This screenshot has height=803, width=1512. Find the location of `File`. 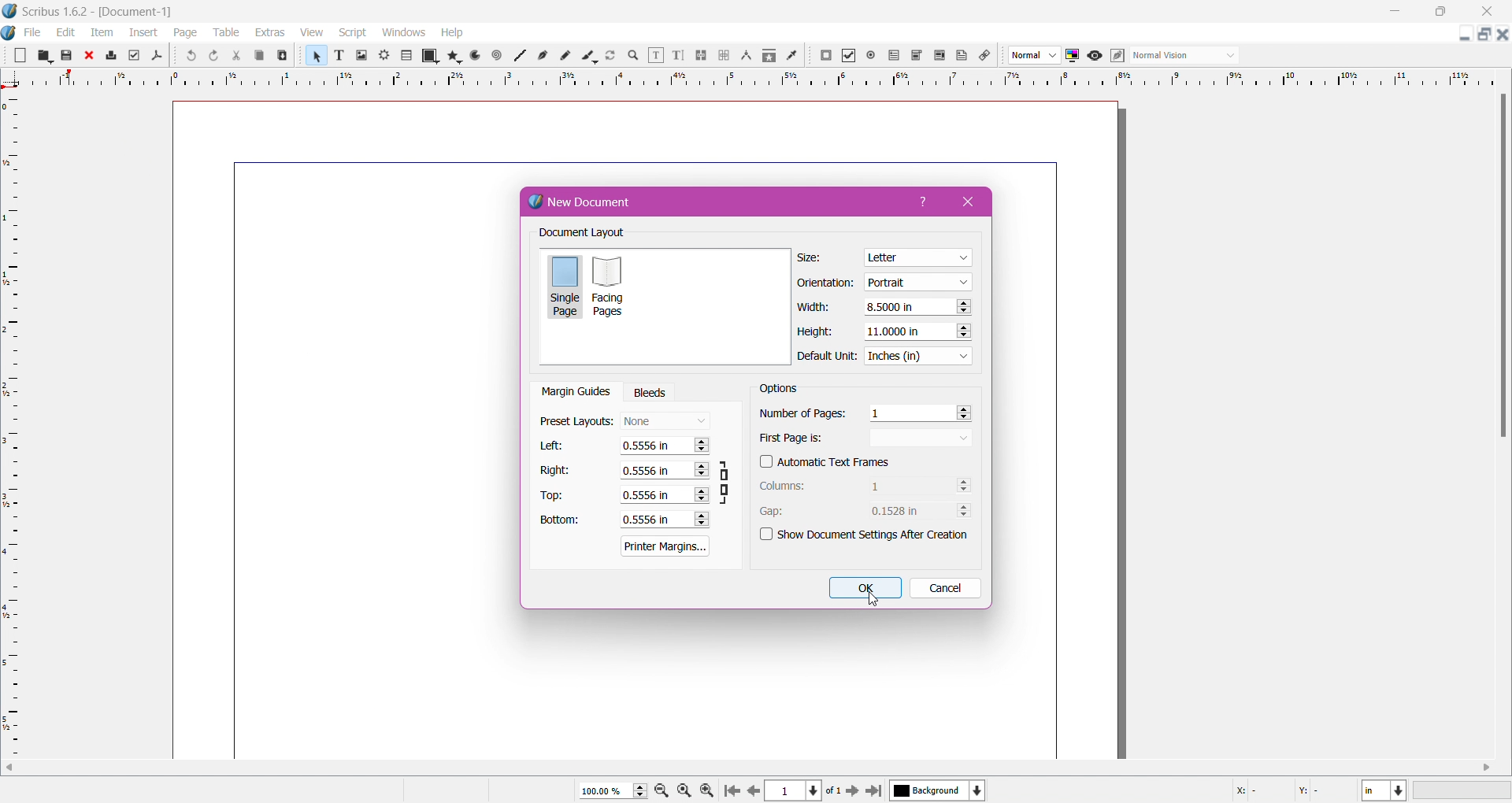

File is located at coordinates (34, 31).